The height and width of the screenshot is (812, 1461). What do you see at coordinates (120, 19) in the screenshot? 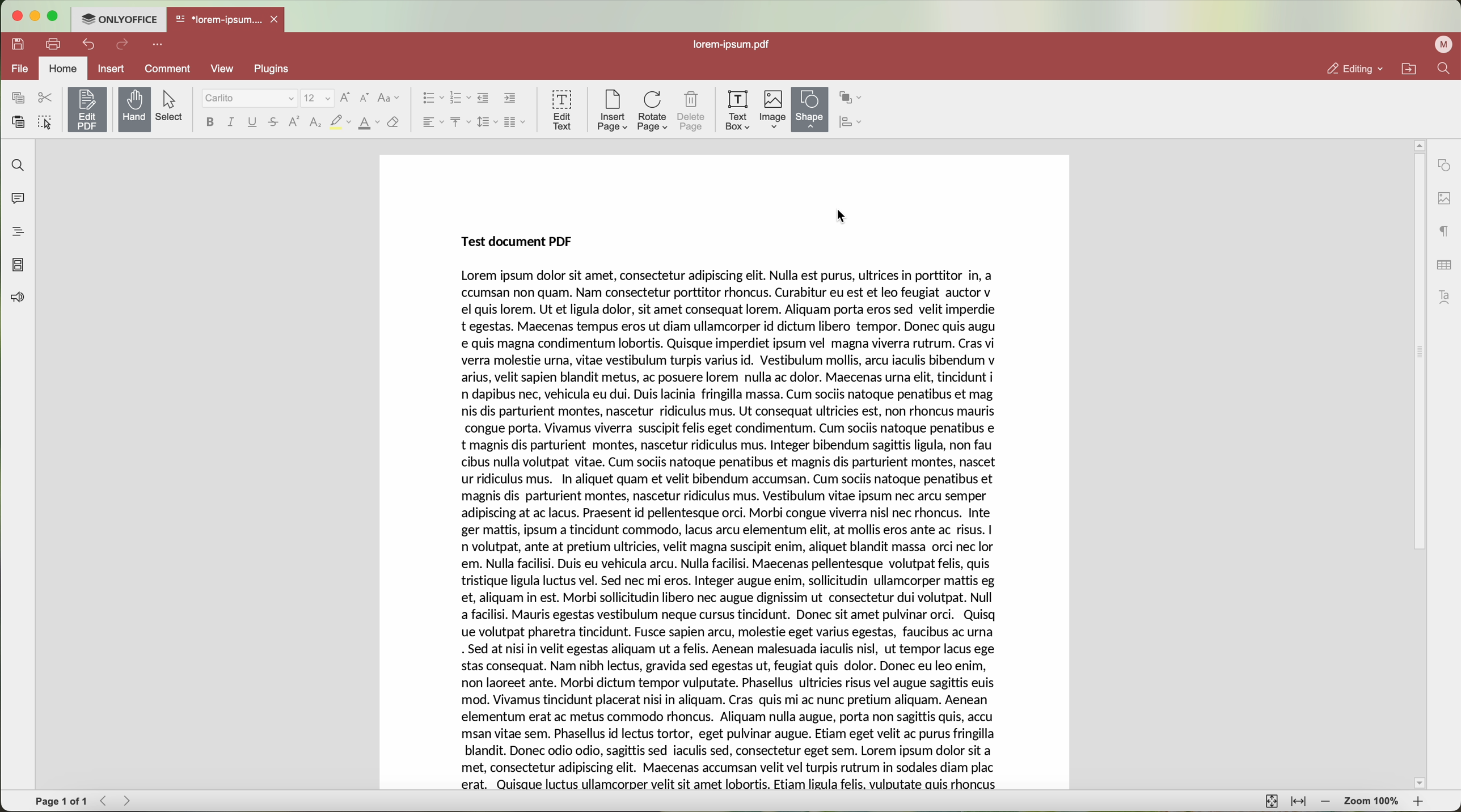
I see `ONLYOFFICE` at bounding box center [120, 19].